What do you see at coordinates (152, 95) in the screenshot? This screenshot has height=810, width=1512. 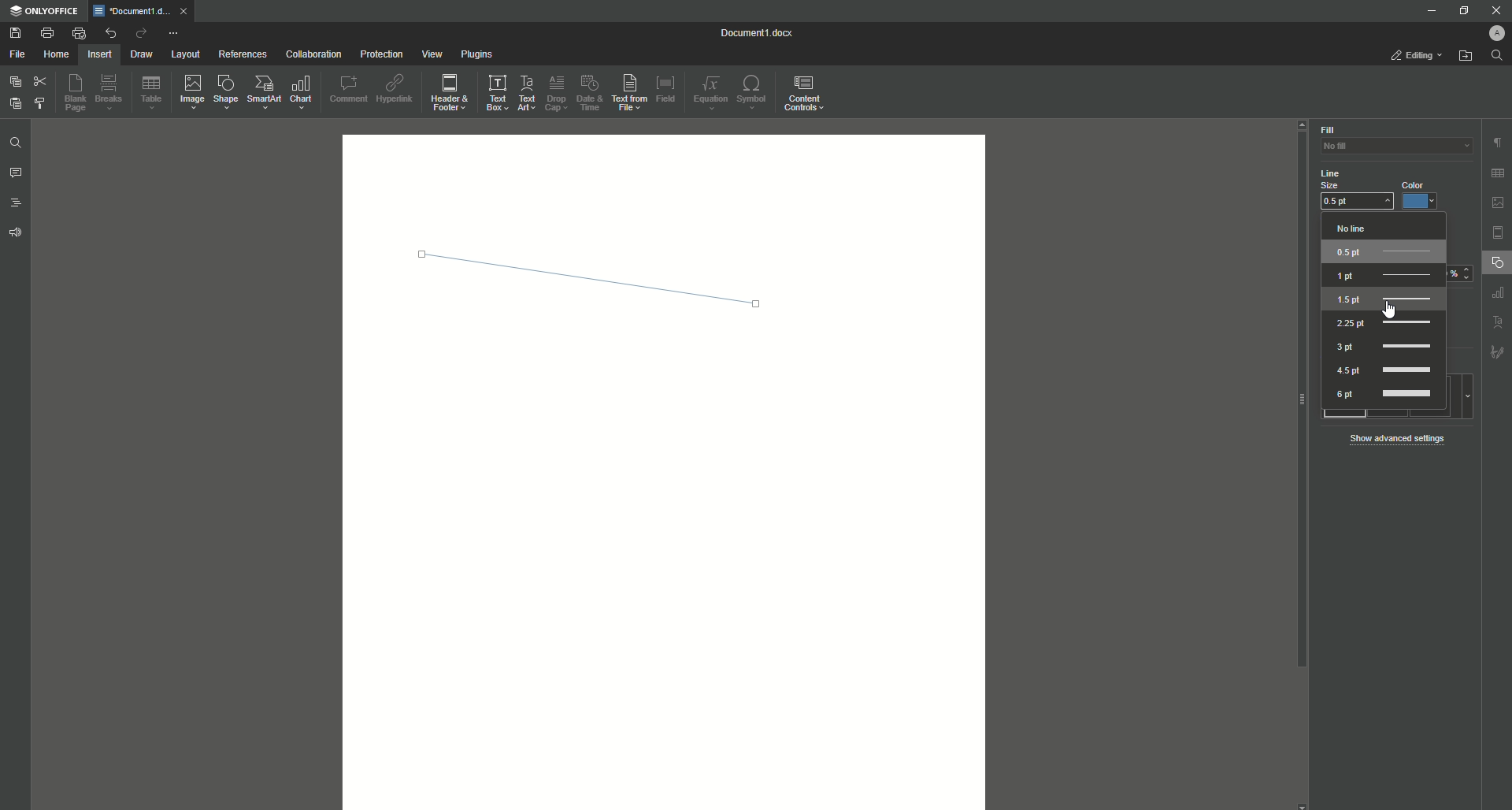 I see `Table` at bounding box center [152, 95].